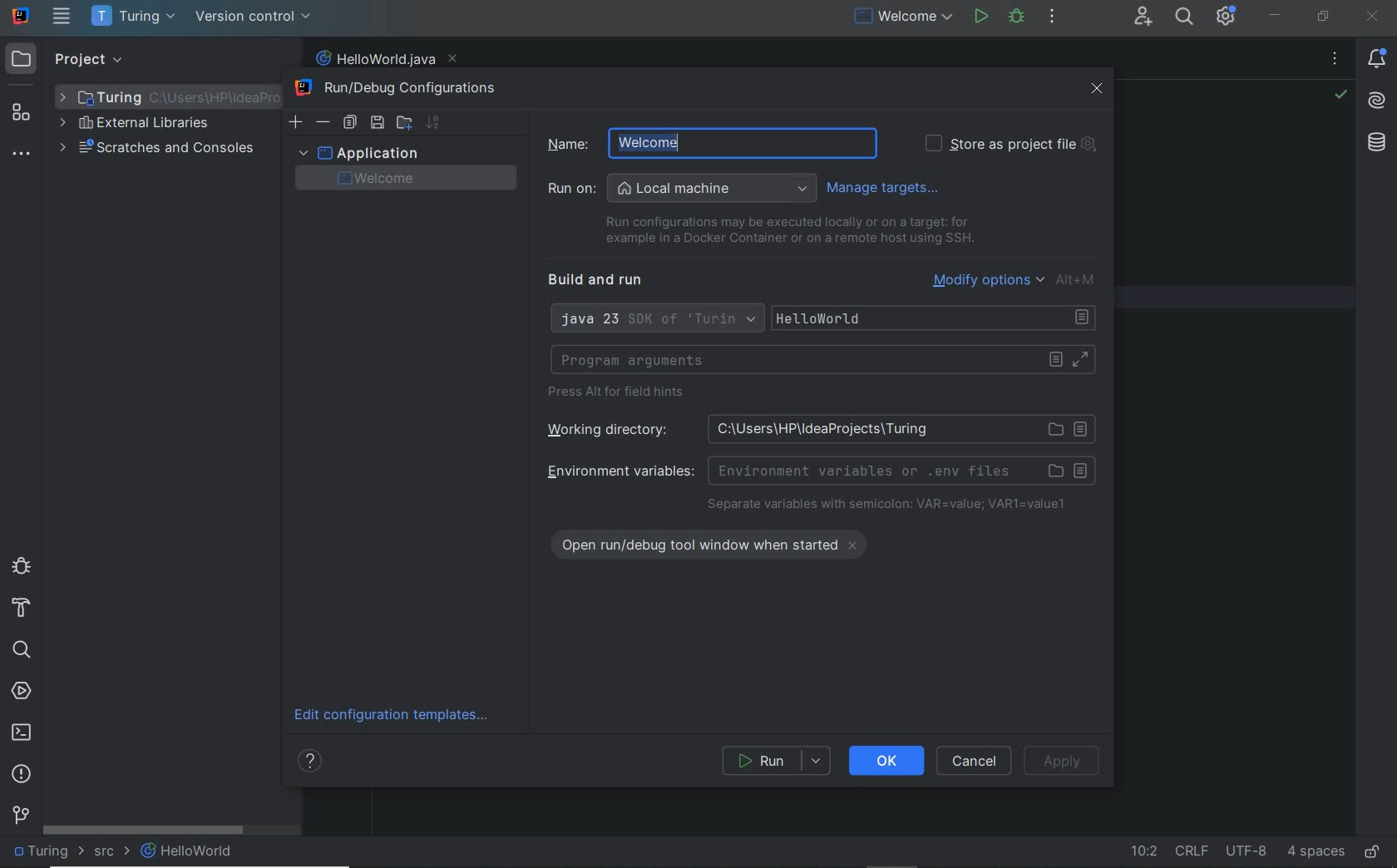  I want to click on java 23, so click(655, 320).